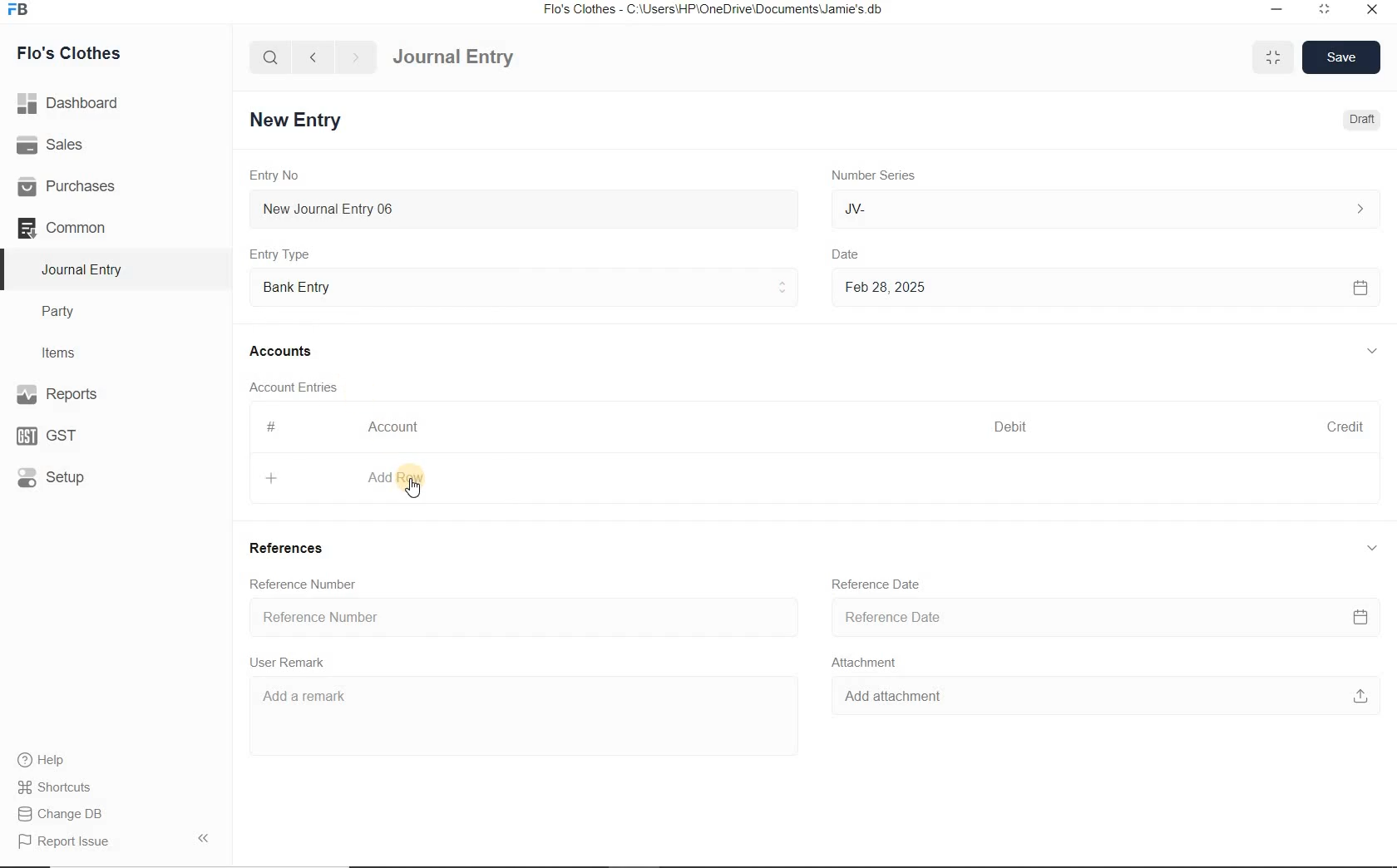 Image resolution: width=1397 pixels, height=868 pixels. Describe the element at coordinates (417, 491) in the screenshot. I see `cursor` at that location.